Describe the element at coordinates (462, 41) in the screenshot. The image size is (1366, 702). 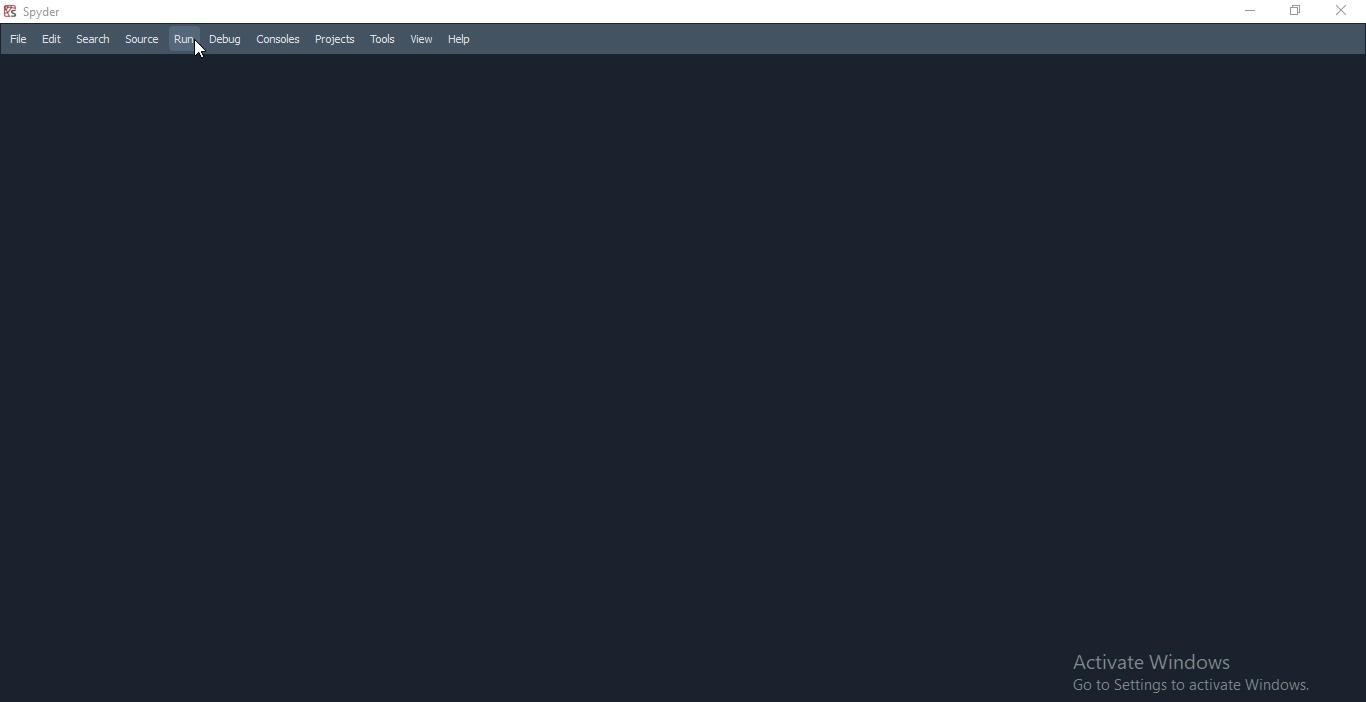
I see `Help` at that location.